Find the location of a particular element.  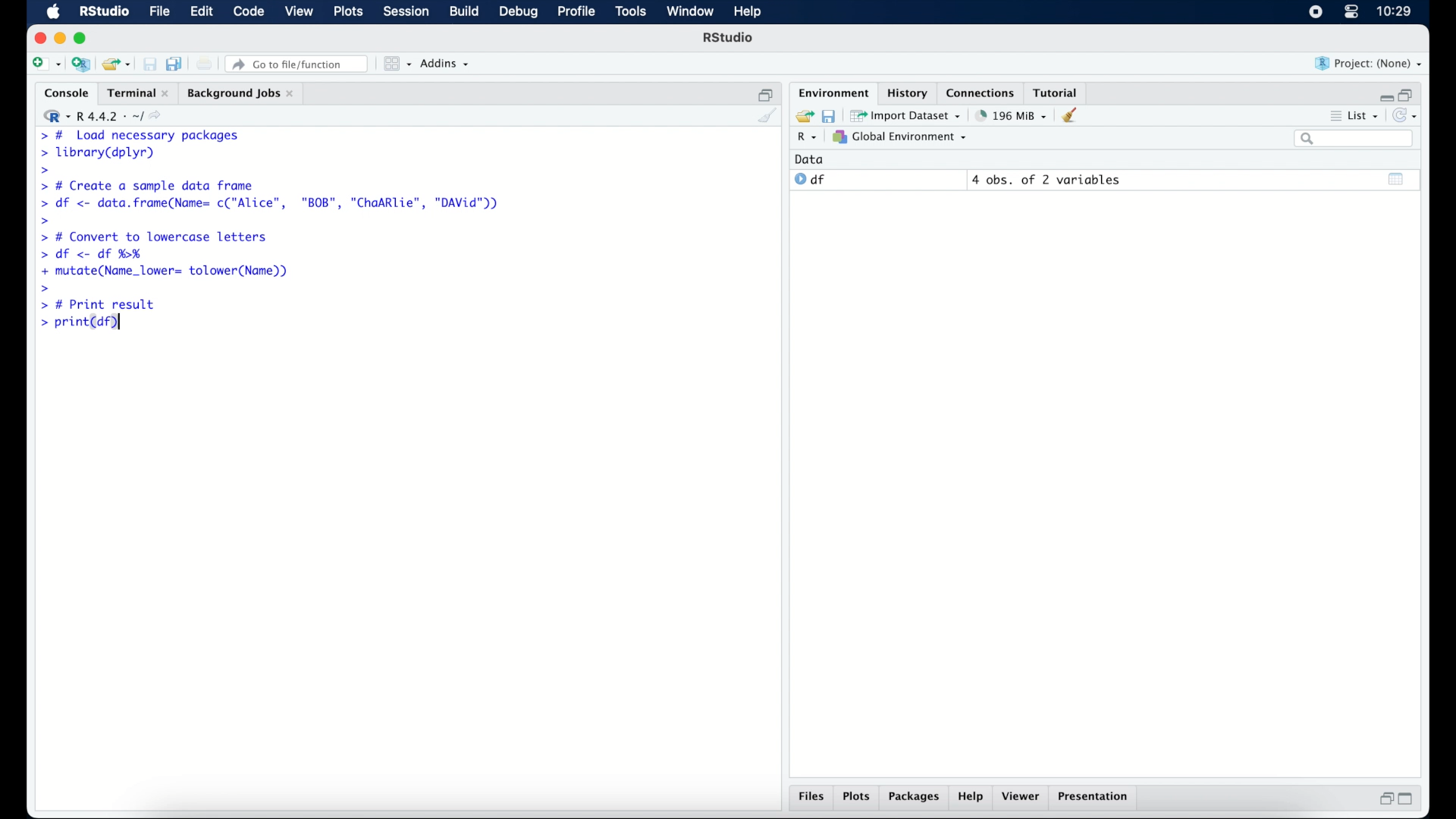

create new project is located at coordinates (81, 65).